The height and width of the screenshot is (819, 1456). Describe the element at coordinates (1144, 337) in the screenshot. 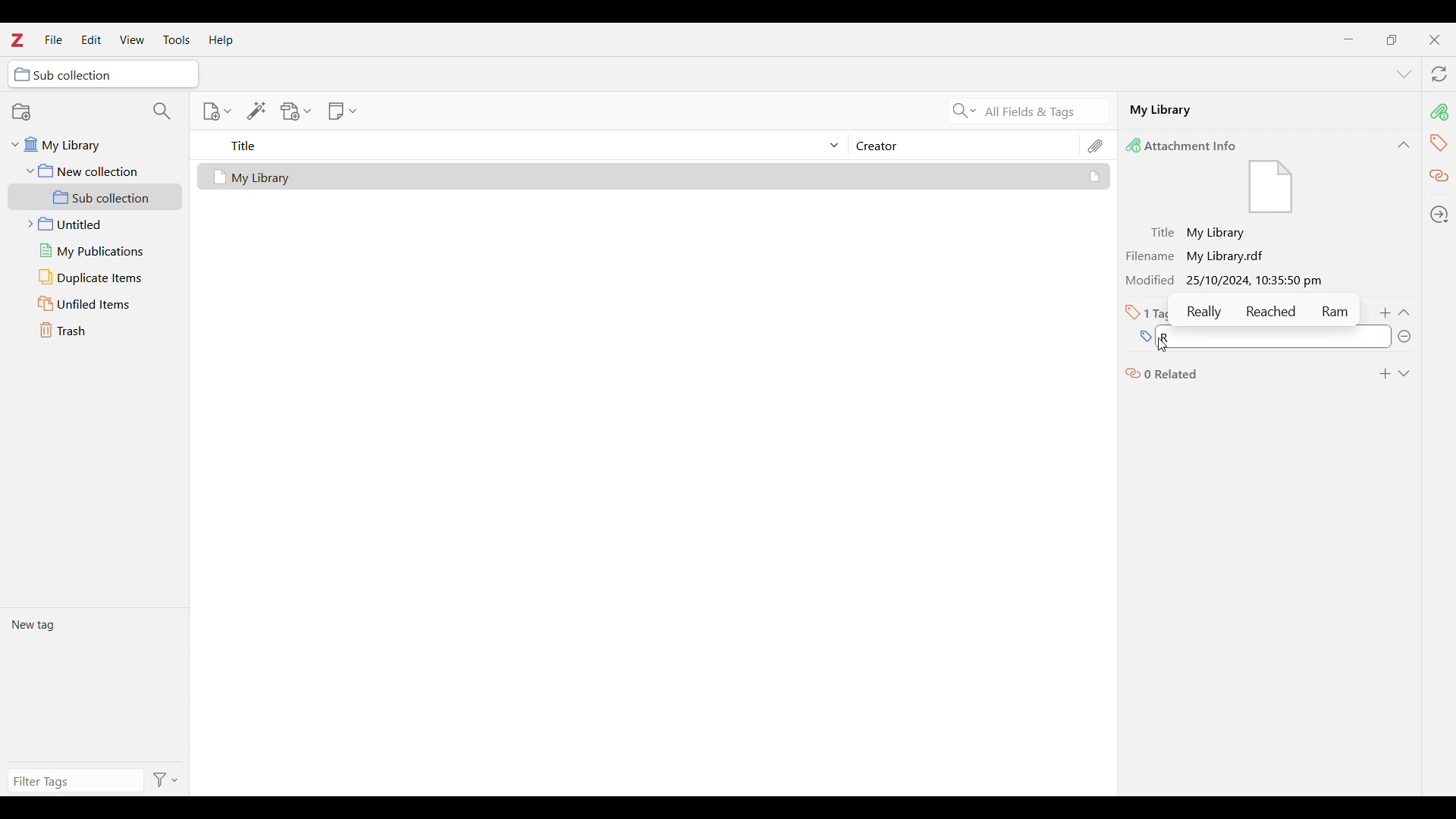

I see `Type in name of new tag` at that location.